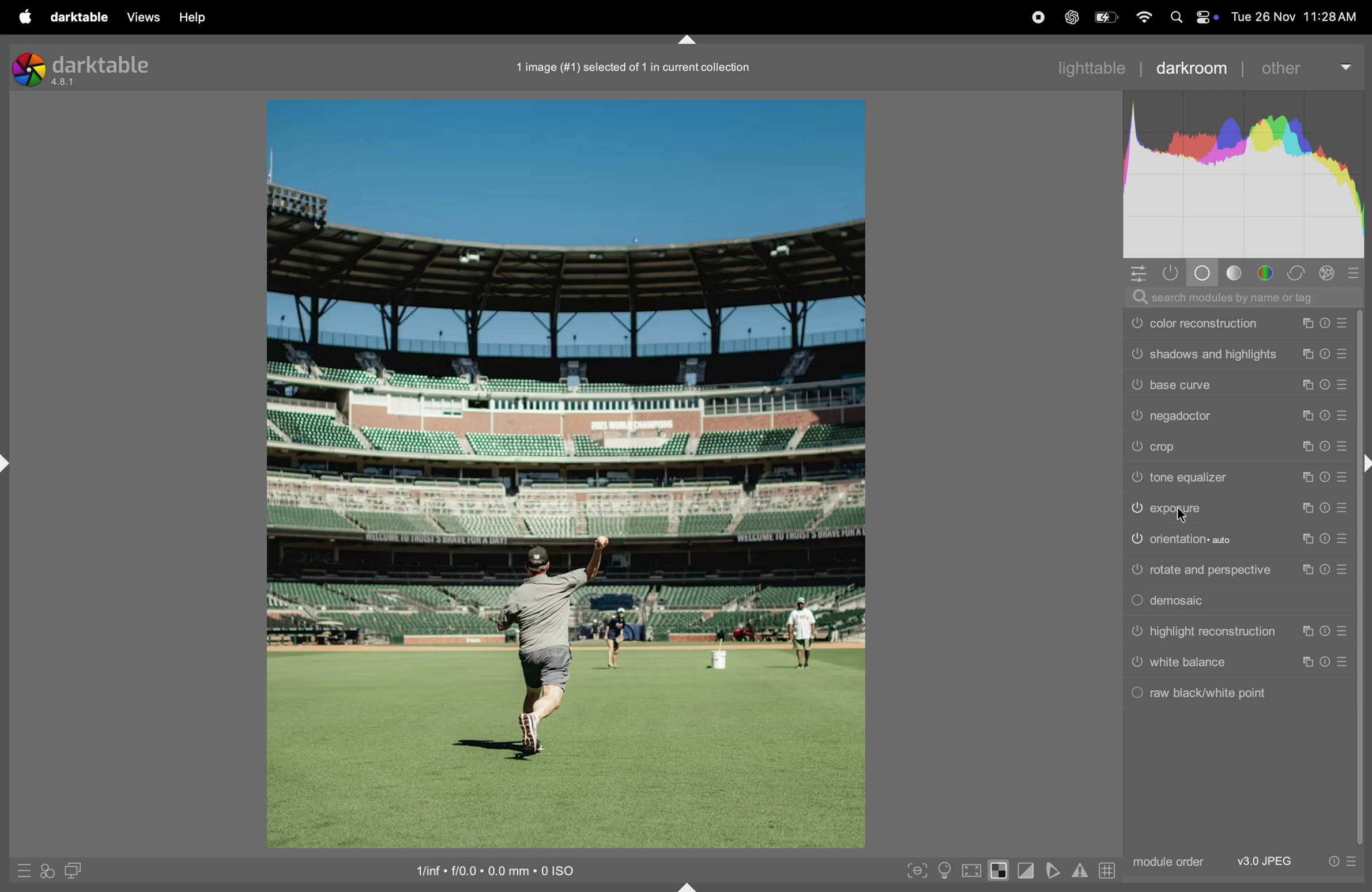 The image size is (1372, 892). I want to click on expand or collapse , so click(1363, 465).